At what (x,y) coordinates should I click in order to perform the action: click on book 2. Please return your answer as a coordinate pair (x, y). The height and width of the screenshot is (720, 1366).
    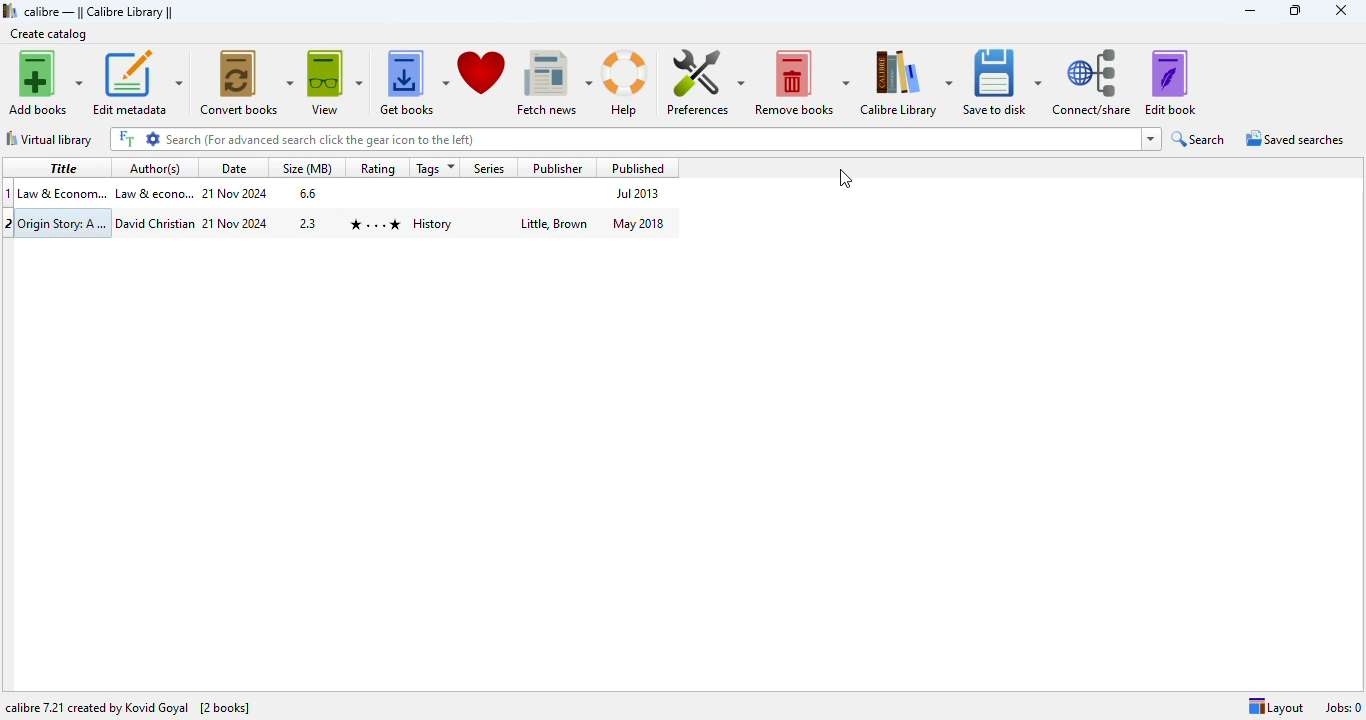
    Looking at the image, I should click on (336, 224).